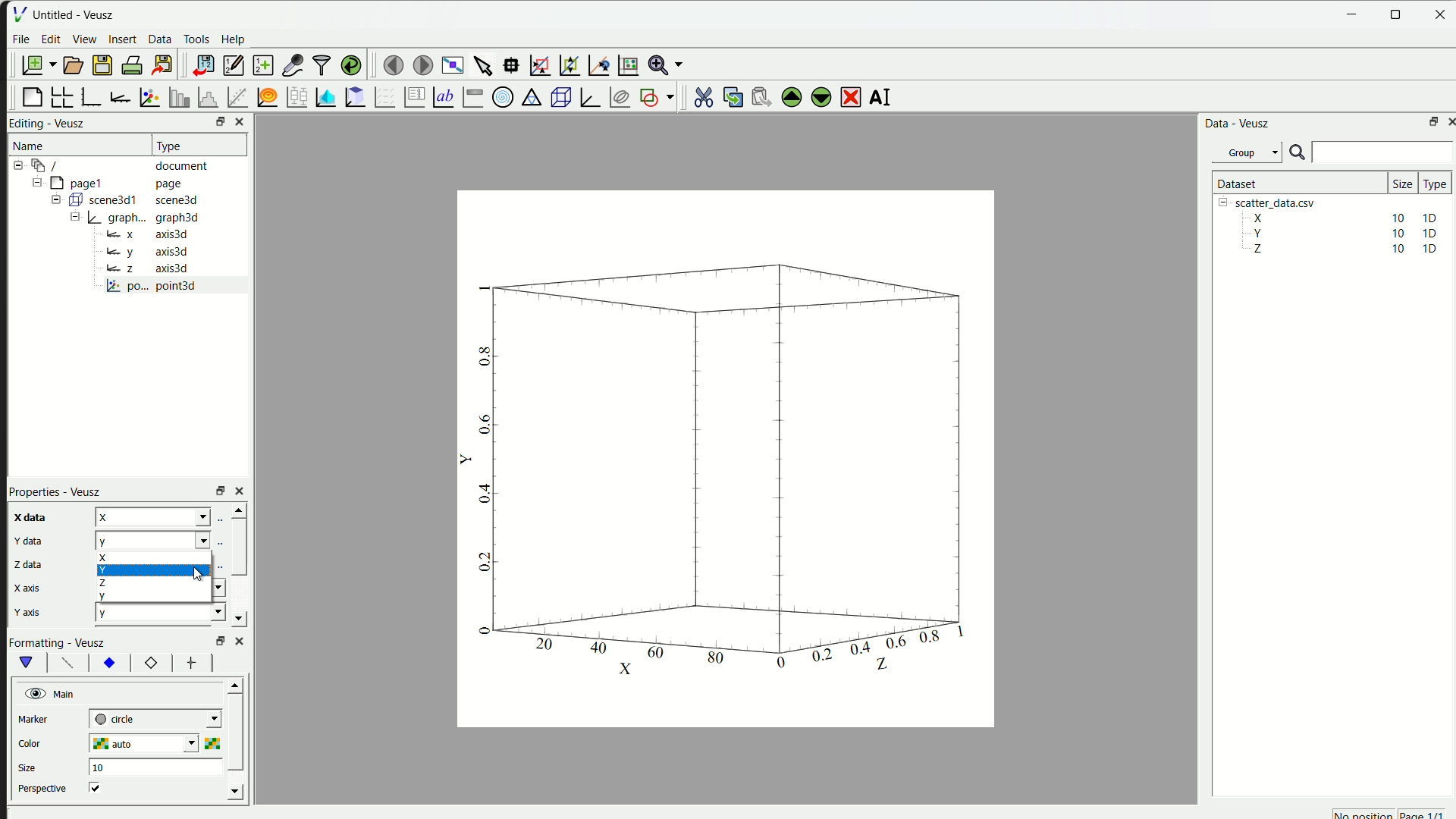 This screenshot has height=819, width=1456. I want to click on | Type, so click(171, 145).